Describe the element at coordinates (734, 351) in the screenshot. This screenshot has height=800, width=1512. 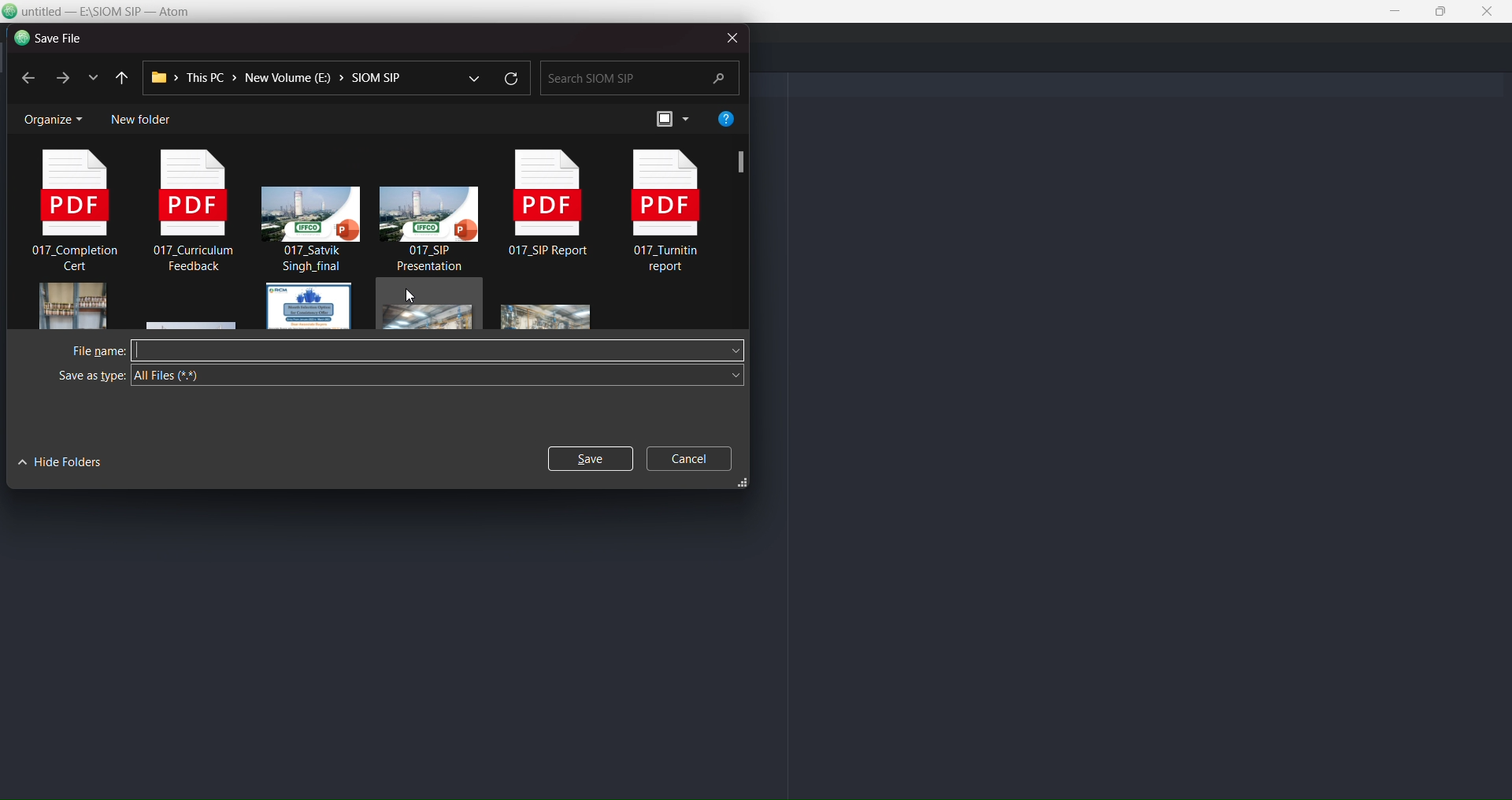
I see `file name dropdown` at that location.